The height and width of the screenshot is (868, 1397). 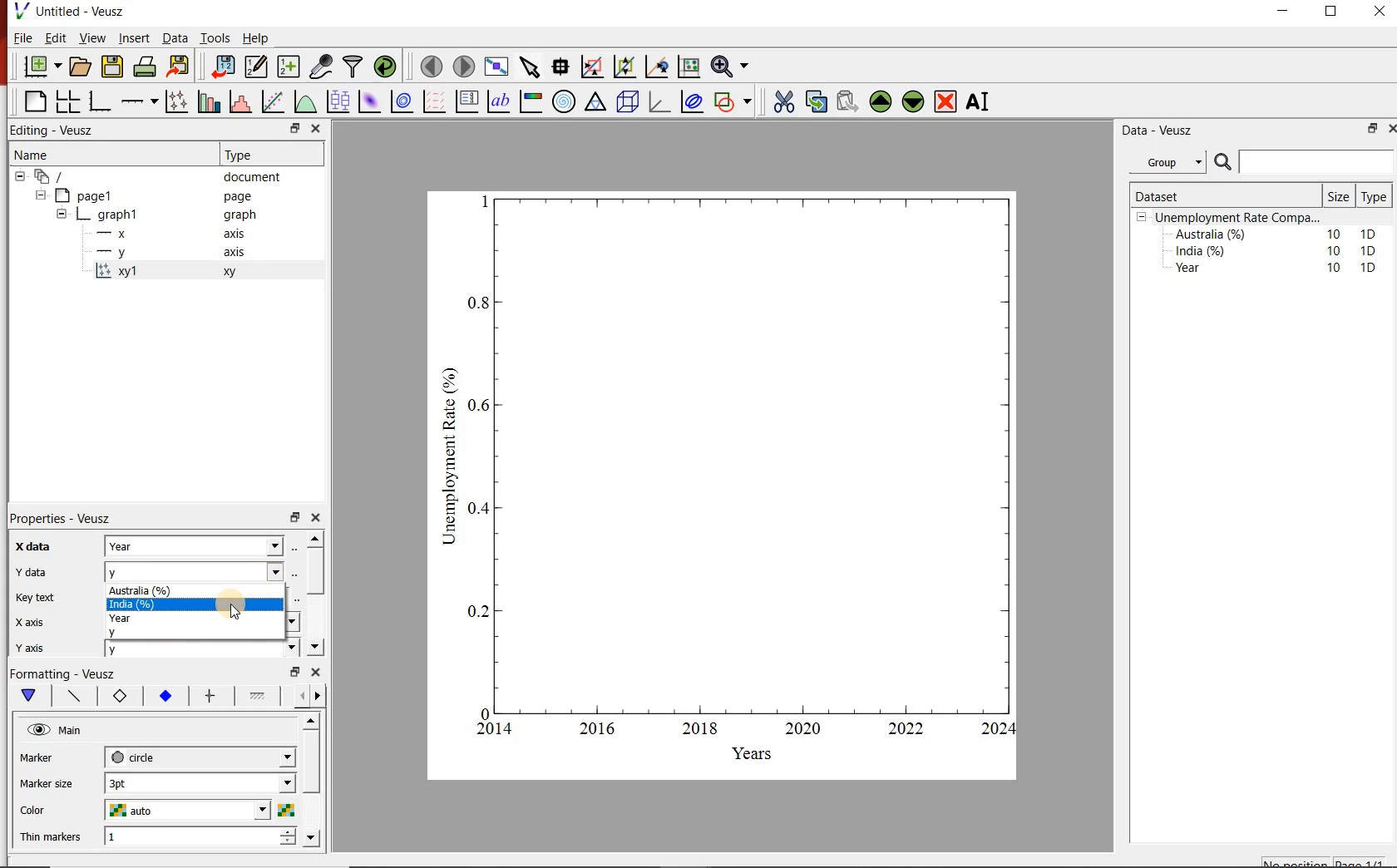 What do you see at coordinates (195, 632) in the screenshot?
I see `y` at bounding box center [195, 632].